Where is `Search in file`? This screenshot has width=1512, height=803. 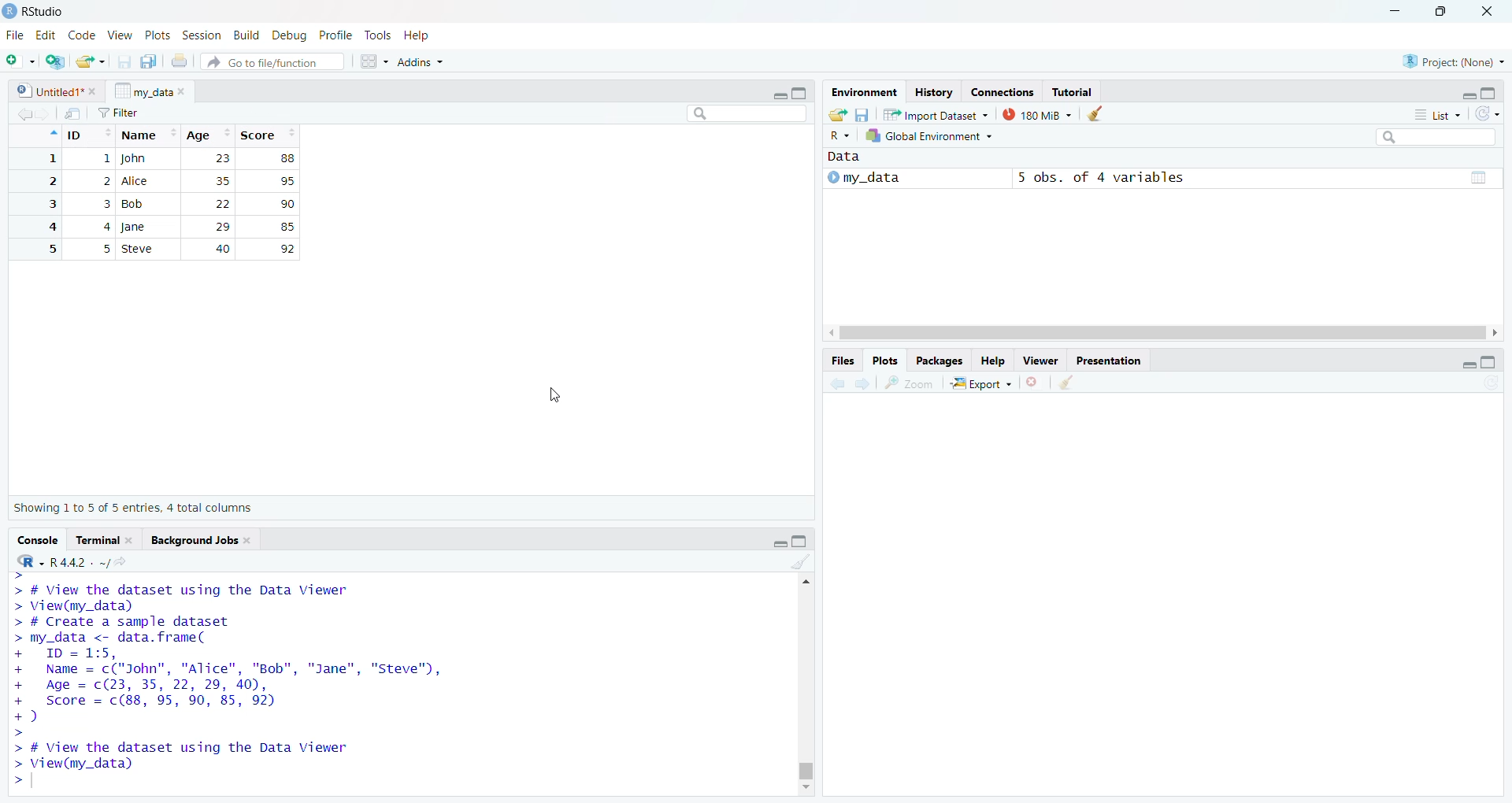
Search in file is located at coordinates (74, 113).